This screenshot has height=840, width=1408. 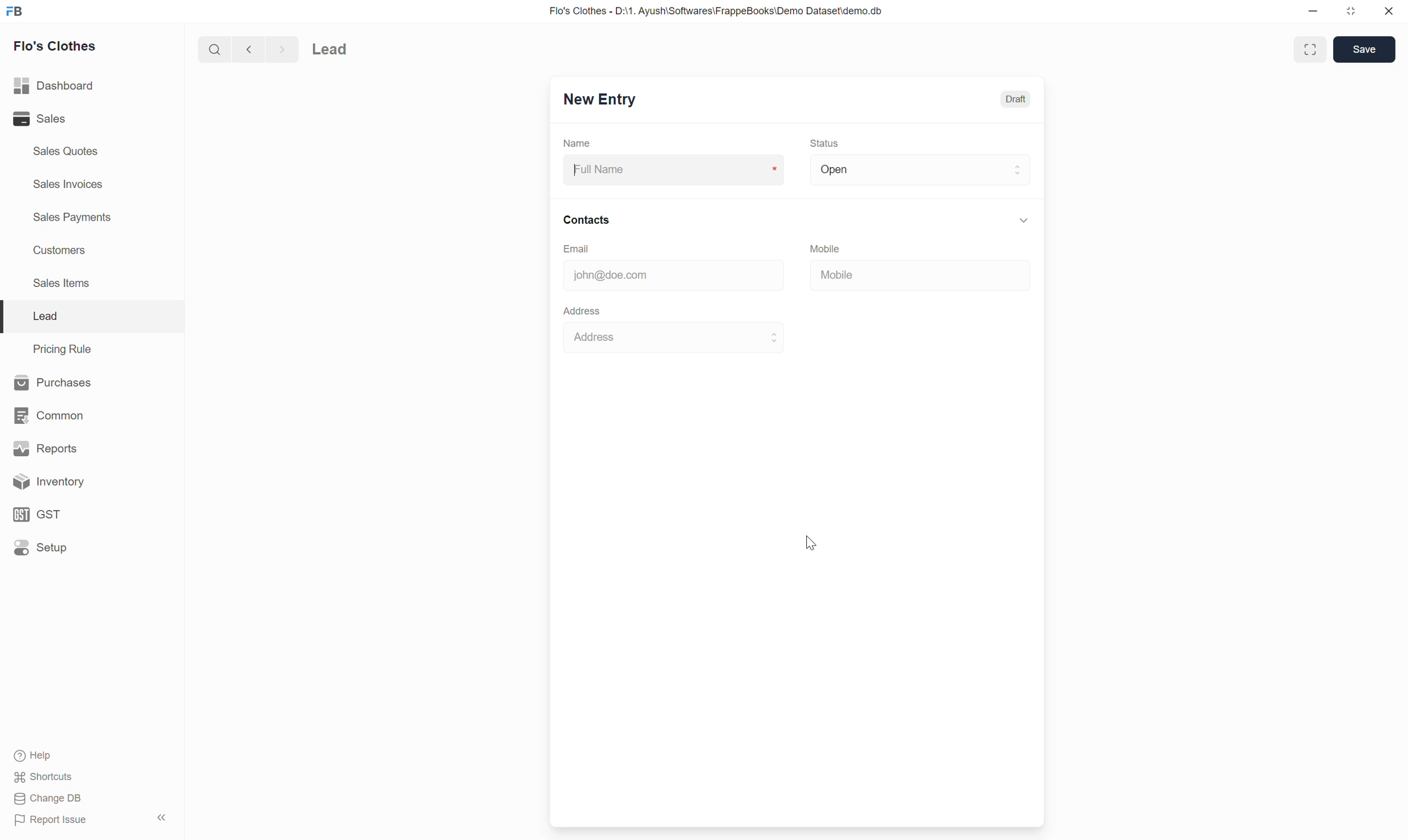 What do you see at coordinates (66, 251) in the screenshot?
I see `Customers` at bounding box center [66, 251].